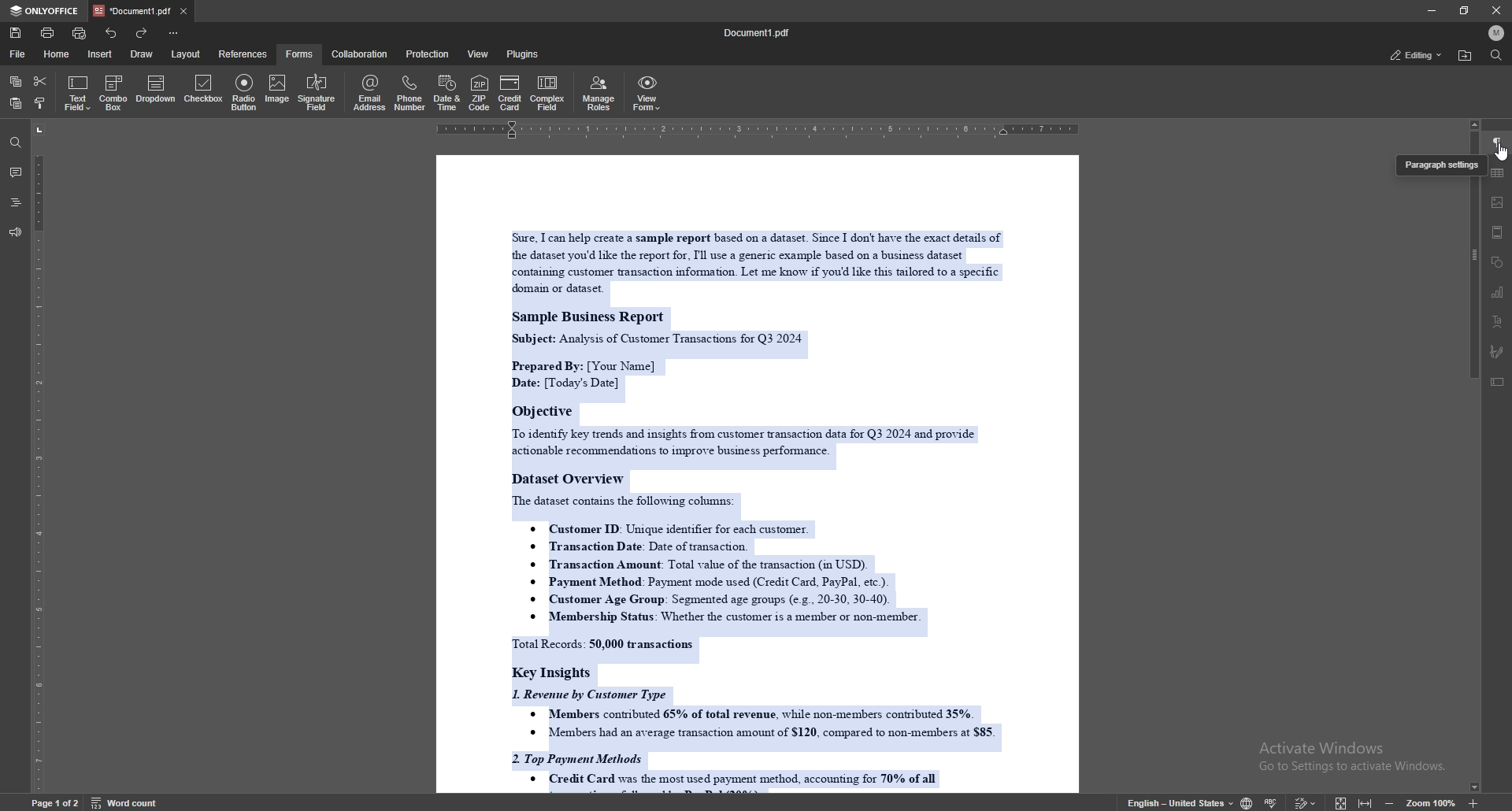 This screenshot has width=1512, height=811. What do you see at coordinates (99, 54) in the screenshot?
I see `insert` at bounding box center [99, 54].